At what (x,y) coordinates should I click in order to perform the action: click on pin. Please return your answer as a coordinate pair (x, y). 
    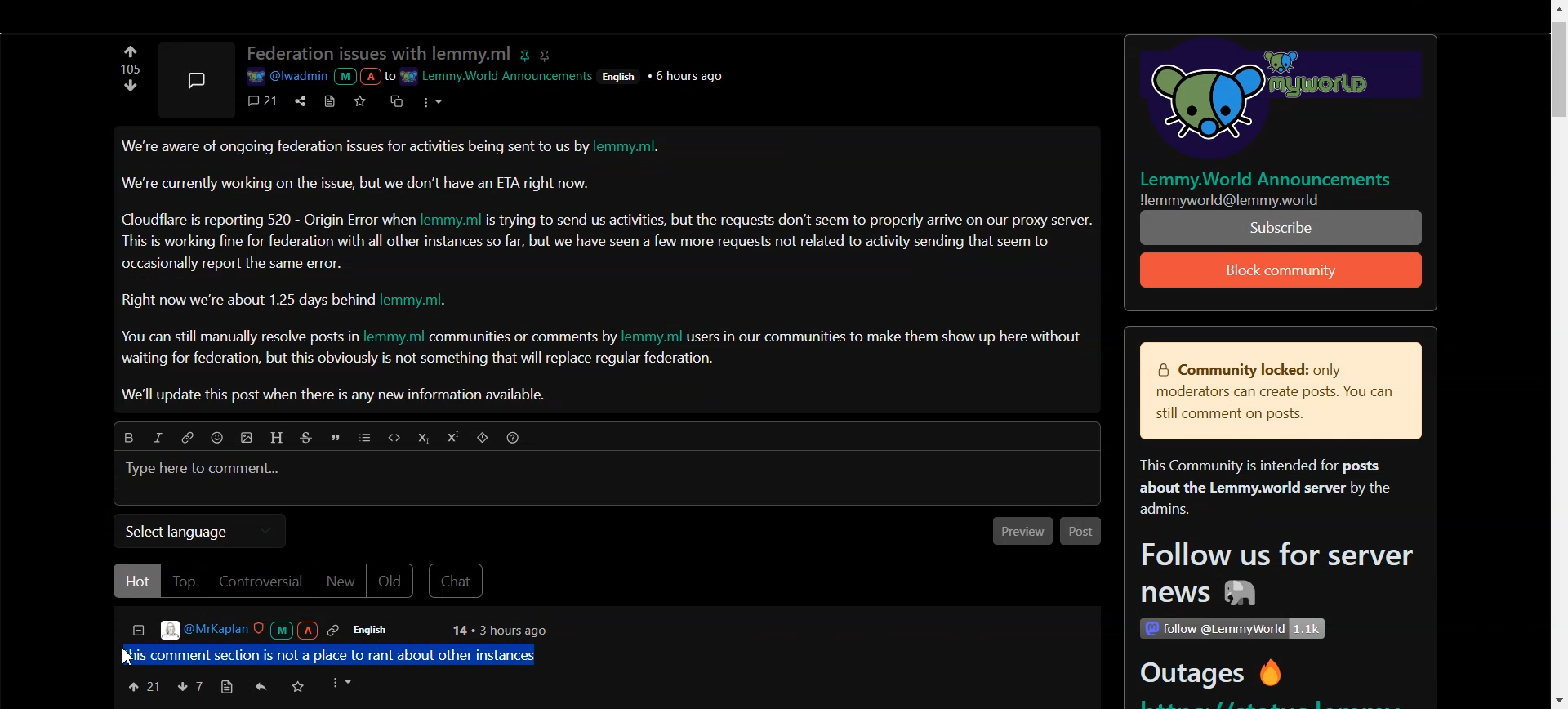
    Looking at the image, I should click on (528, 52).